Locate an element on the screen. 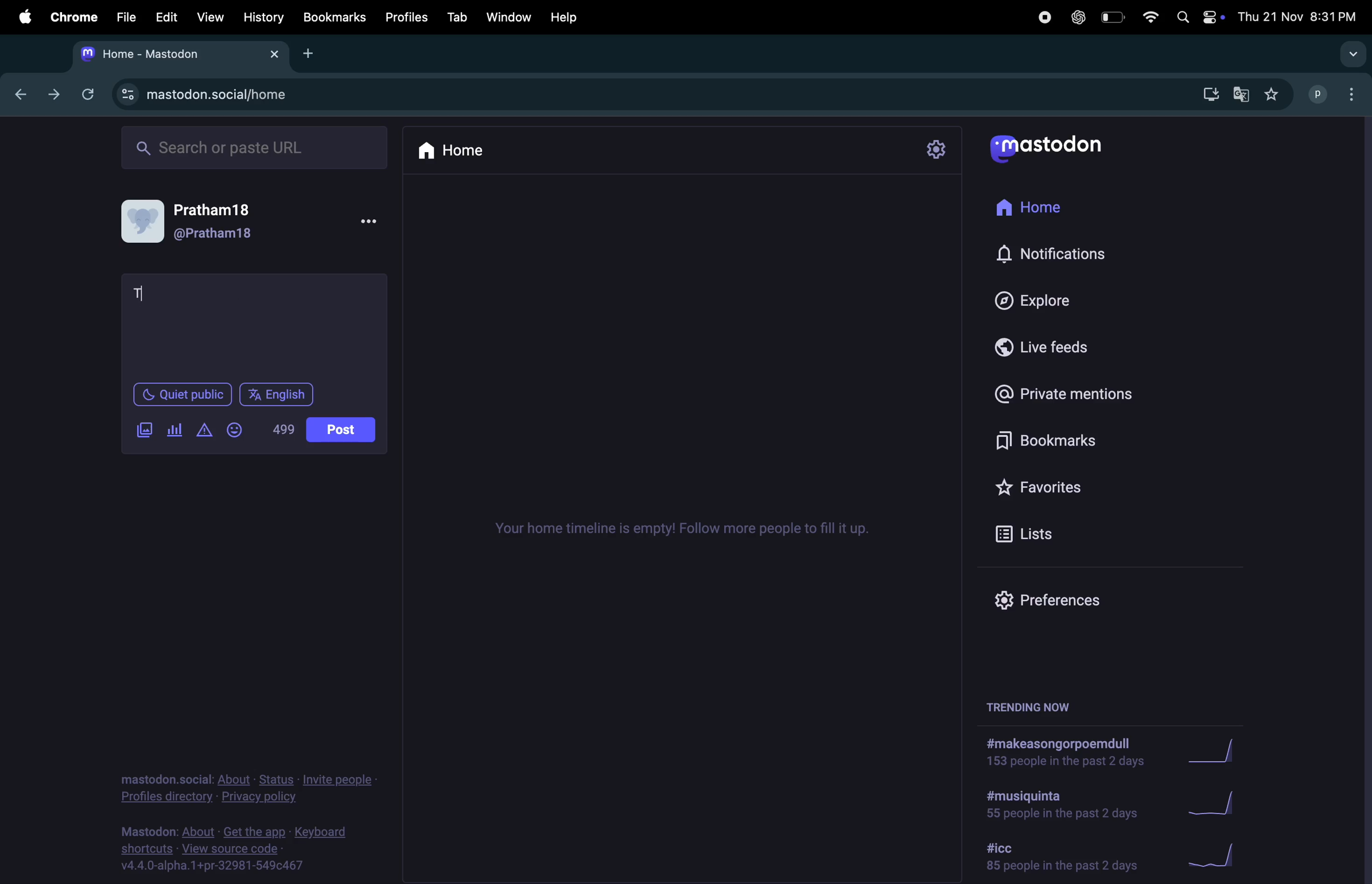 The width and height of the screenshot is (1372, 884). chrome is located at coordinates (74, 15).